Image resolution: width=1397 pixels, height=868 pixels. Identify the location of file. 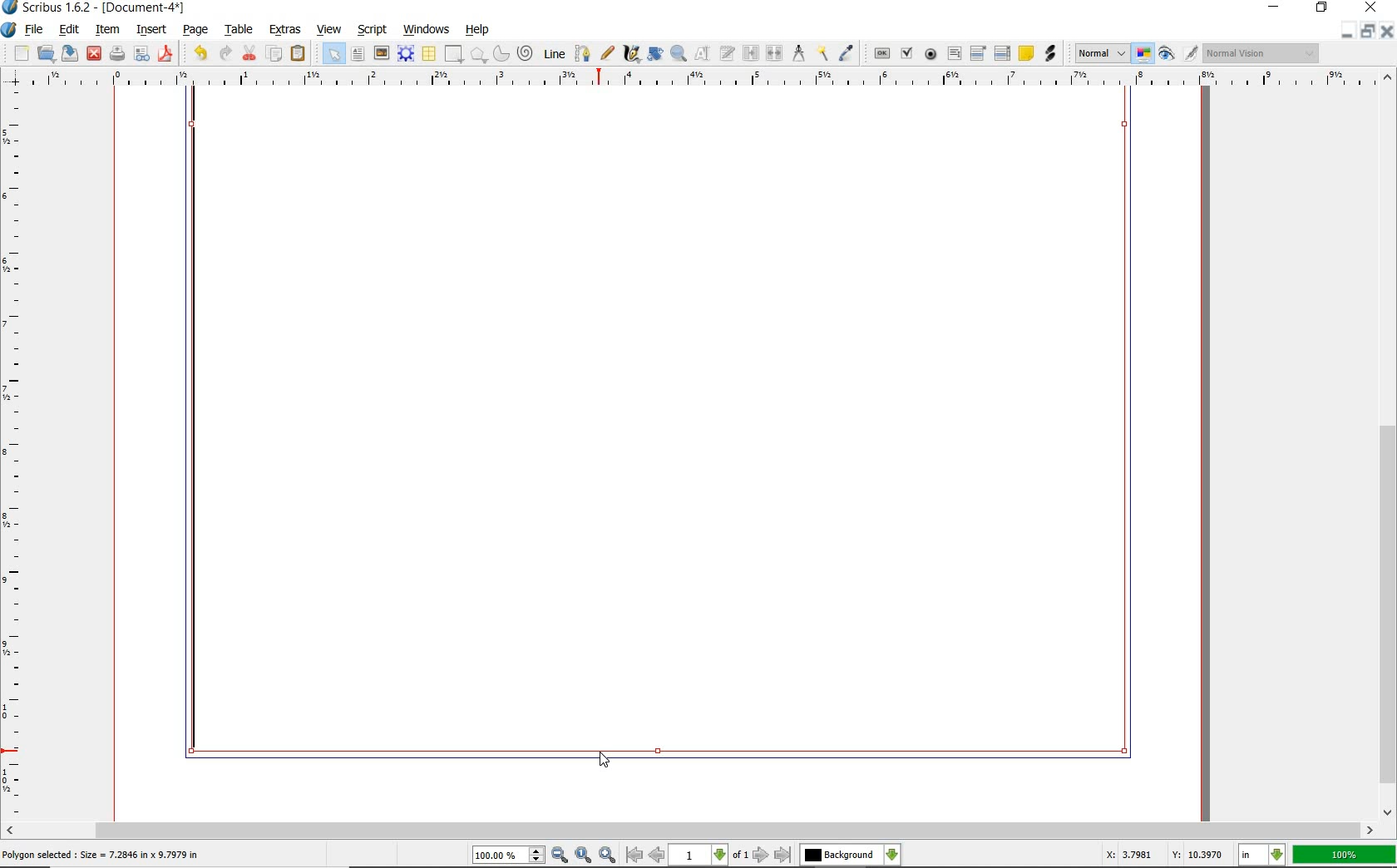
(36, 31).